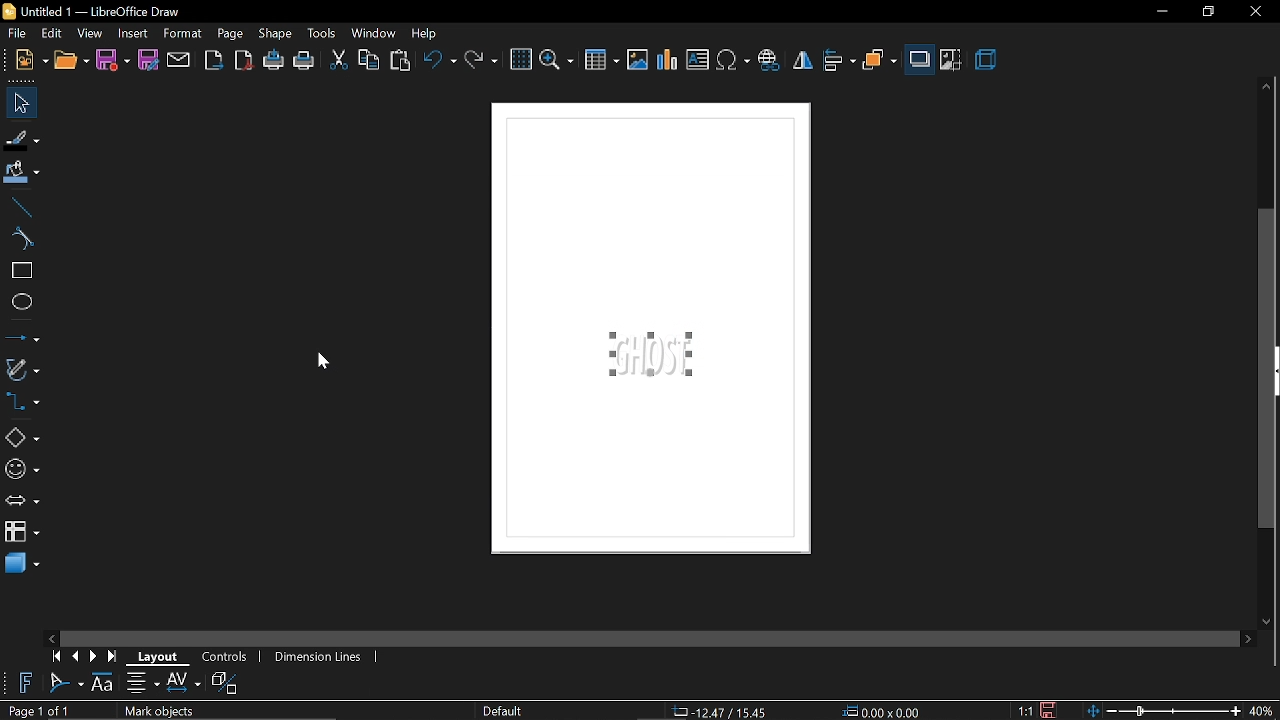 This screenshot has height=720, width=1280. What do you see at coordinates (322, 34) in the screenshot?
I see `tools` at bounding box center [322, 34].